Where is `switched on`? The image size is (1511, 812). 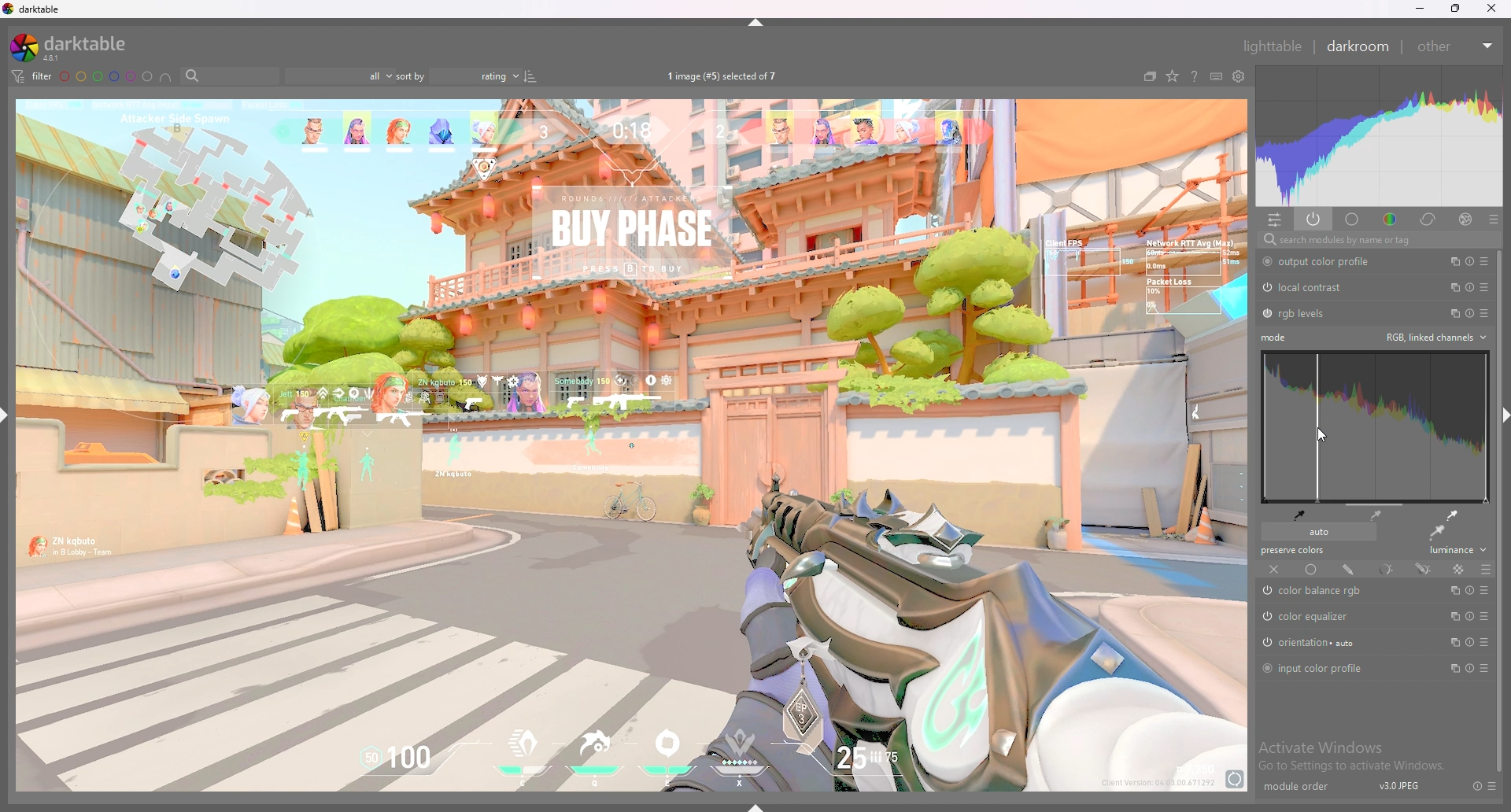 switched on is located at coordinates (1266, 262).